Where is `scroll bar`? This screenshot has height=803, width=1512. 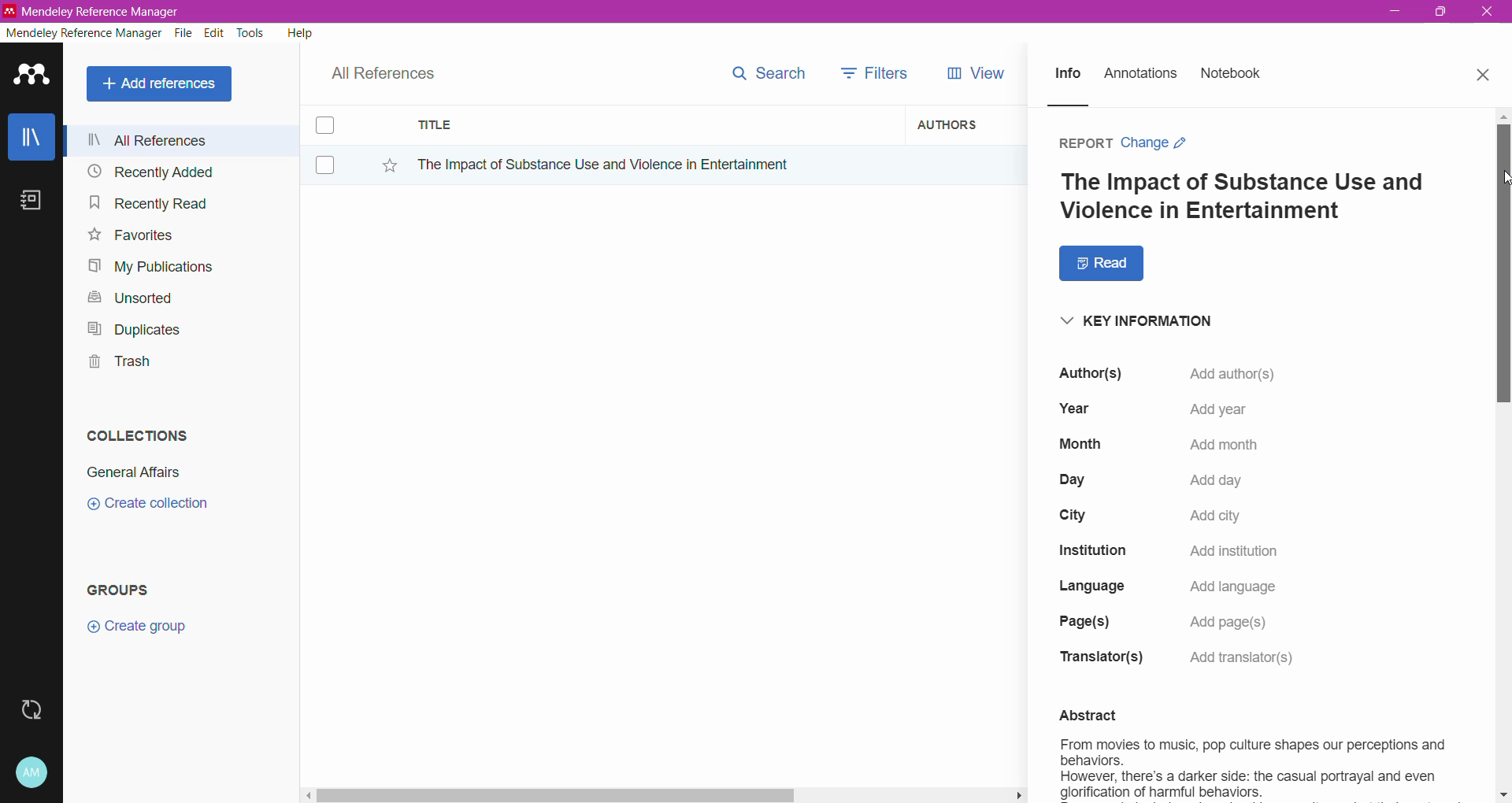 scroll bar is located at coordinates (664, 793).